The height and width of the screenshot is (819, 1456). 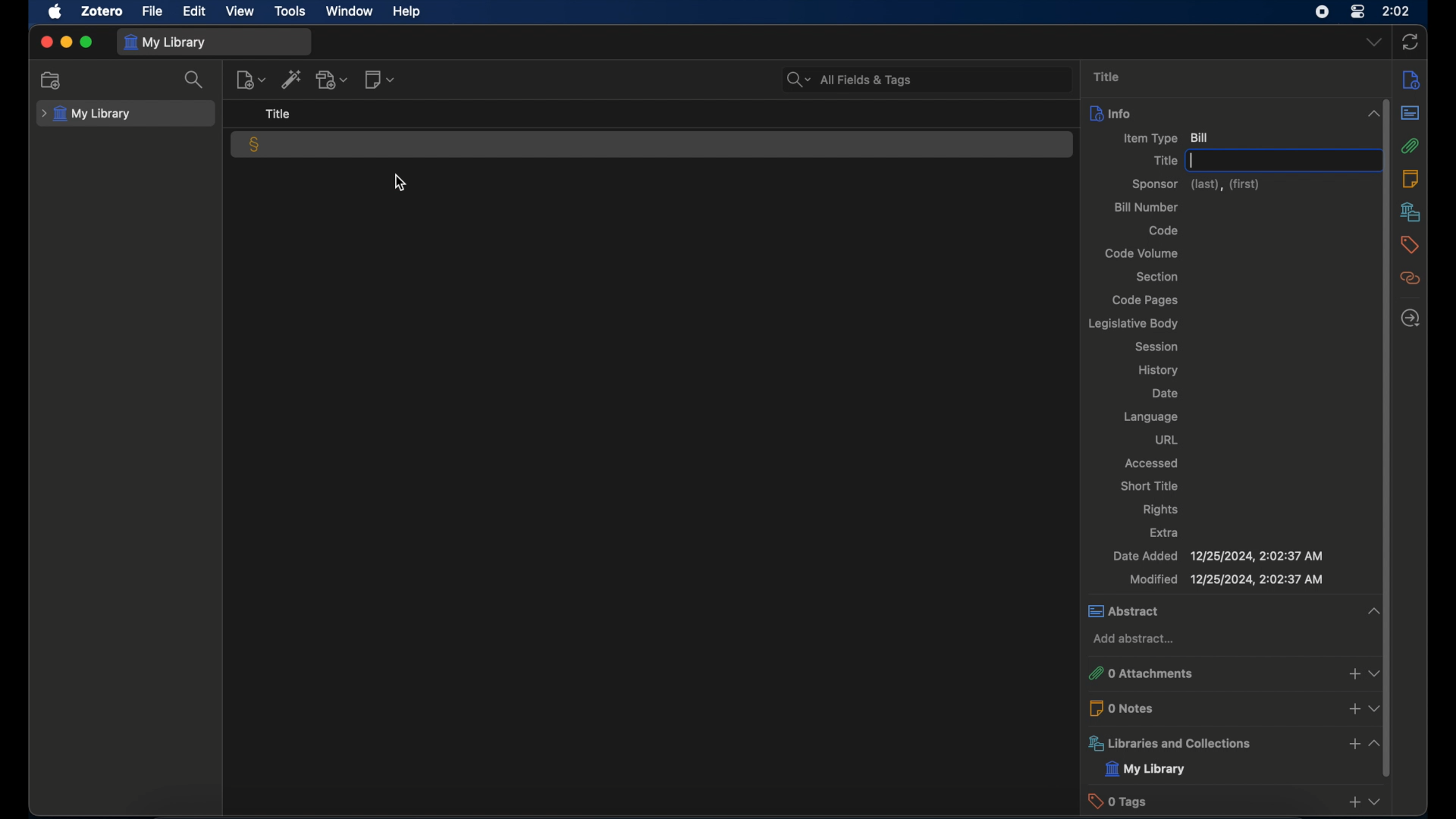 I want to click on add attachment, so click(x=333, y=79).